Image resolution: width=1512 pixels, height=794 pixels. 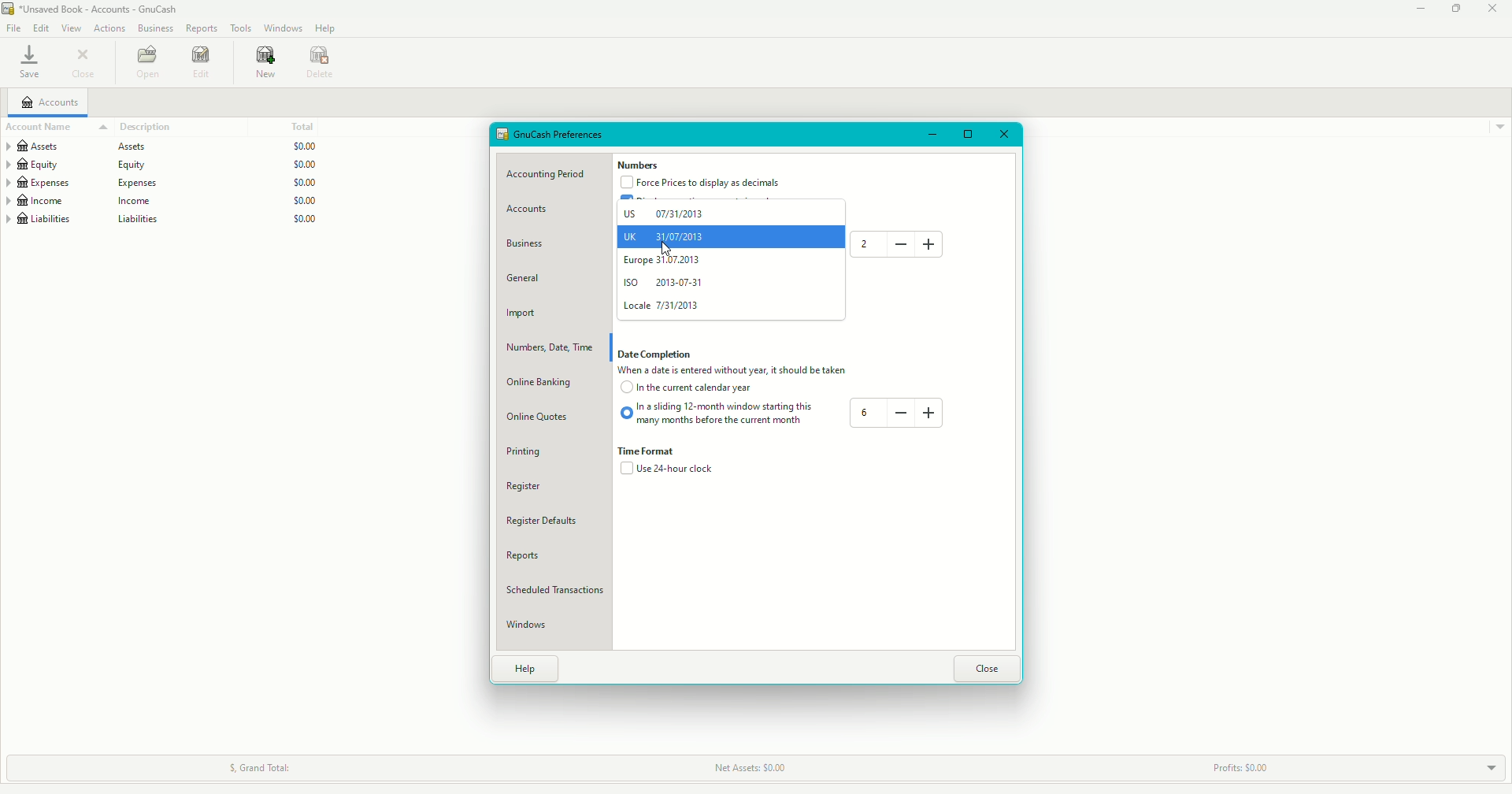 What do you see at coordinates (705, 183) in the screenshot?
I see `Force Prices` at bounding box center [705, 183].